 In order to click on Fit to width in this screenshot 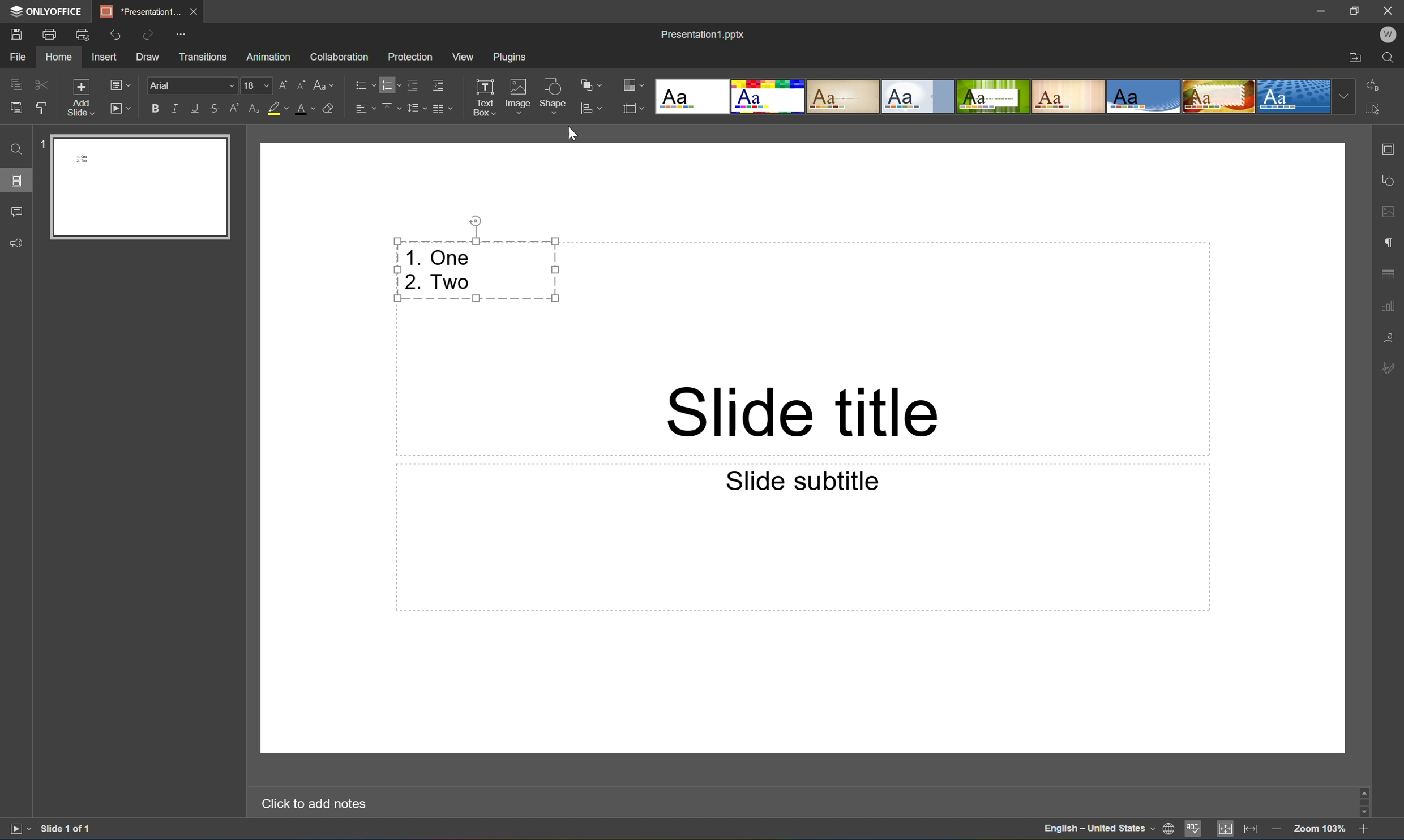, I will do `click(1251, 830)`.